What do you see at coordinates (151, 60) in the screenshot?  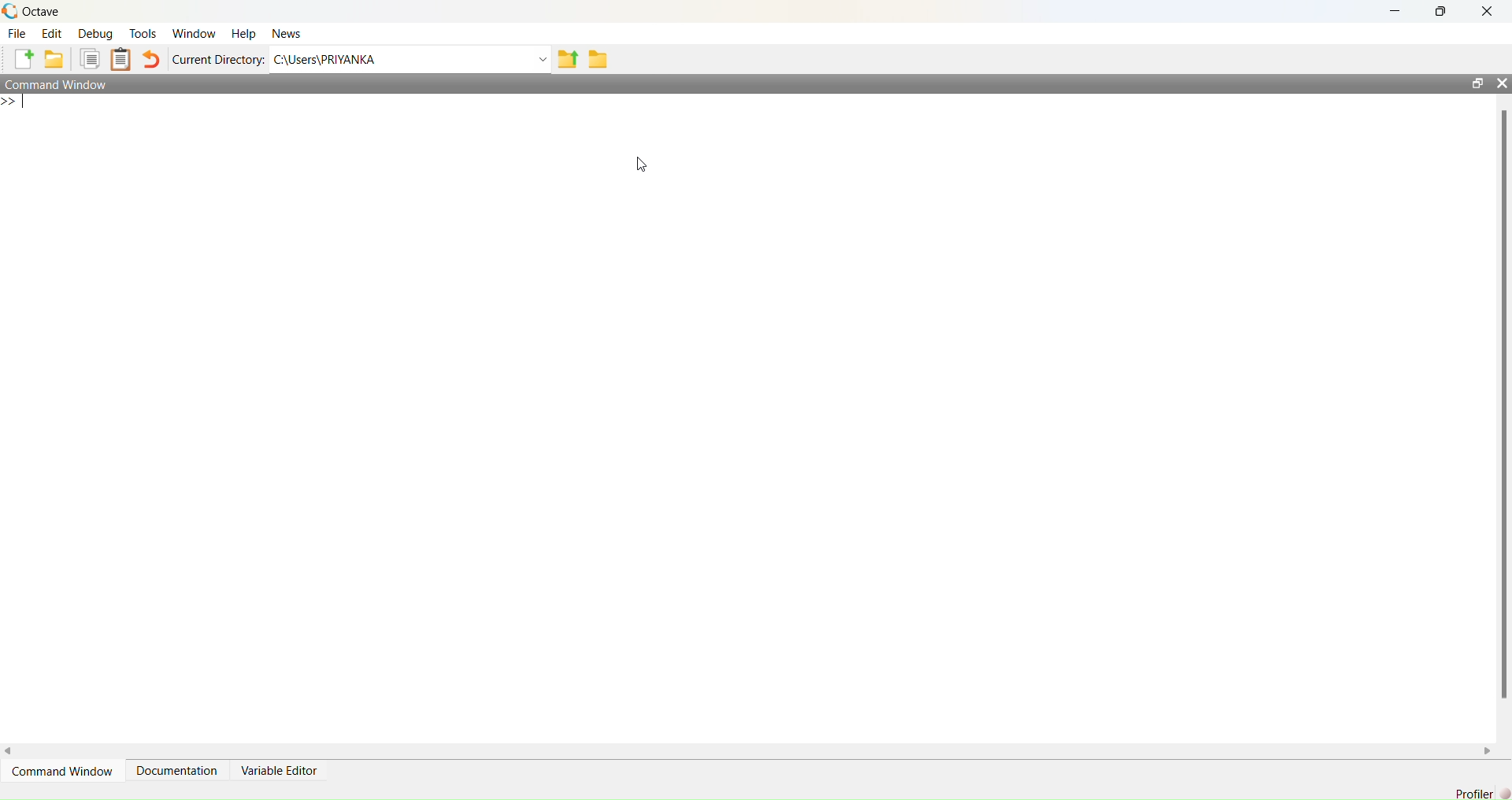 I see `undo` at bounding box center [151, 60].